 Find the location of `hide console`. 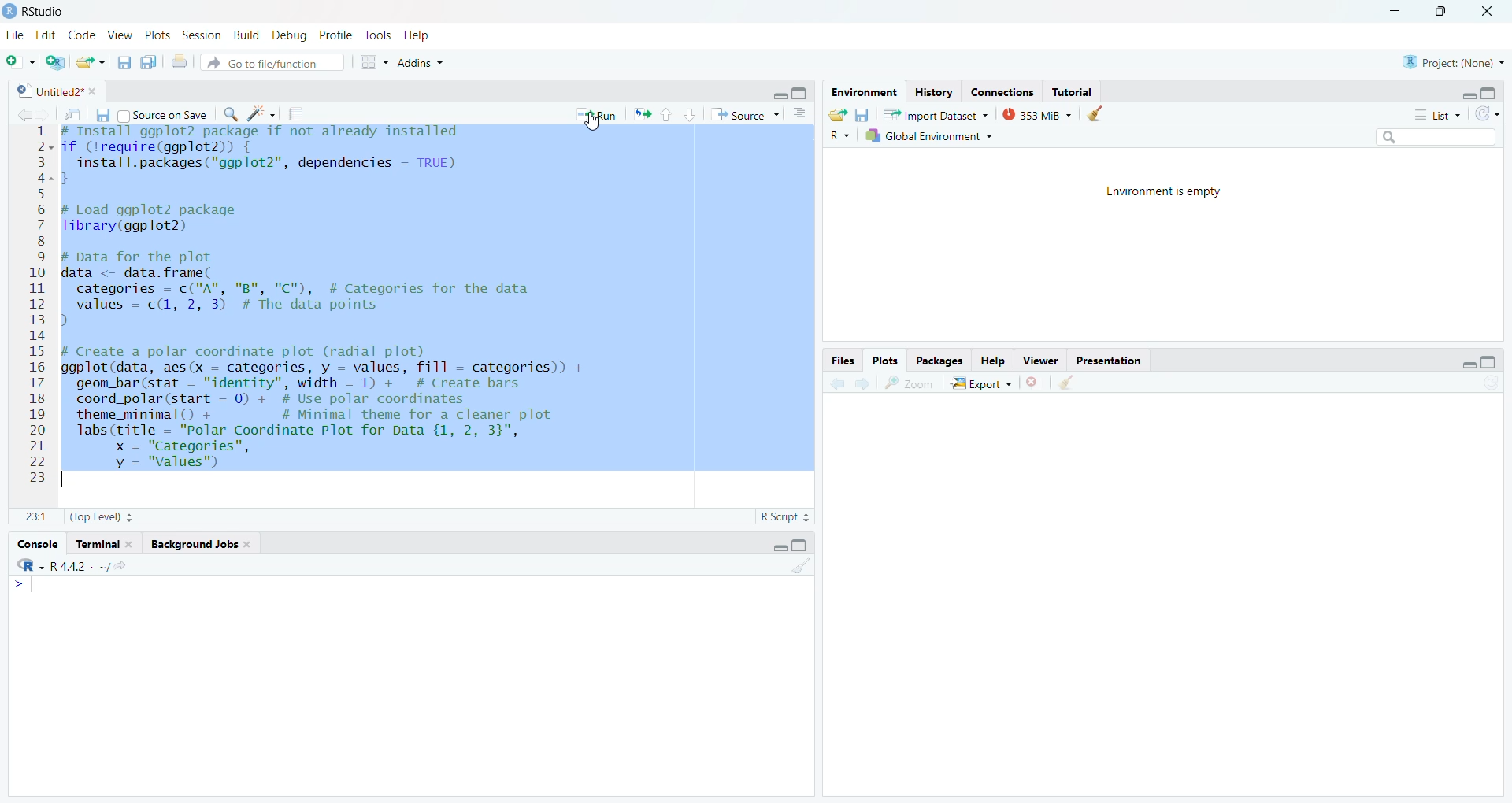

hide console is located at coordinates (805, 546).